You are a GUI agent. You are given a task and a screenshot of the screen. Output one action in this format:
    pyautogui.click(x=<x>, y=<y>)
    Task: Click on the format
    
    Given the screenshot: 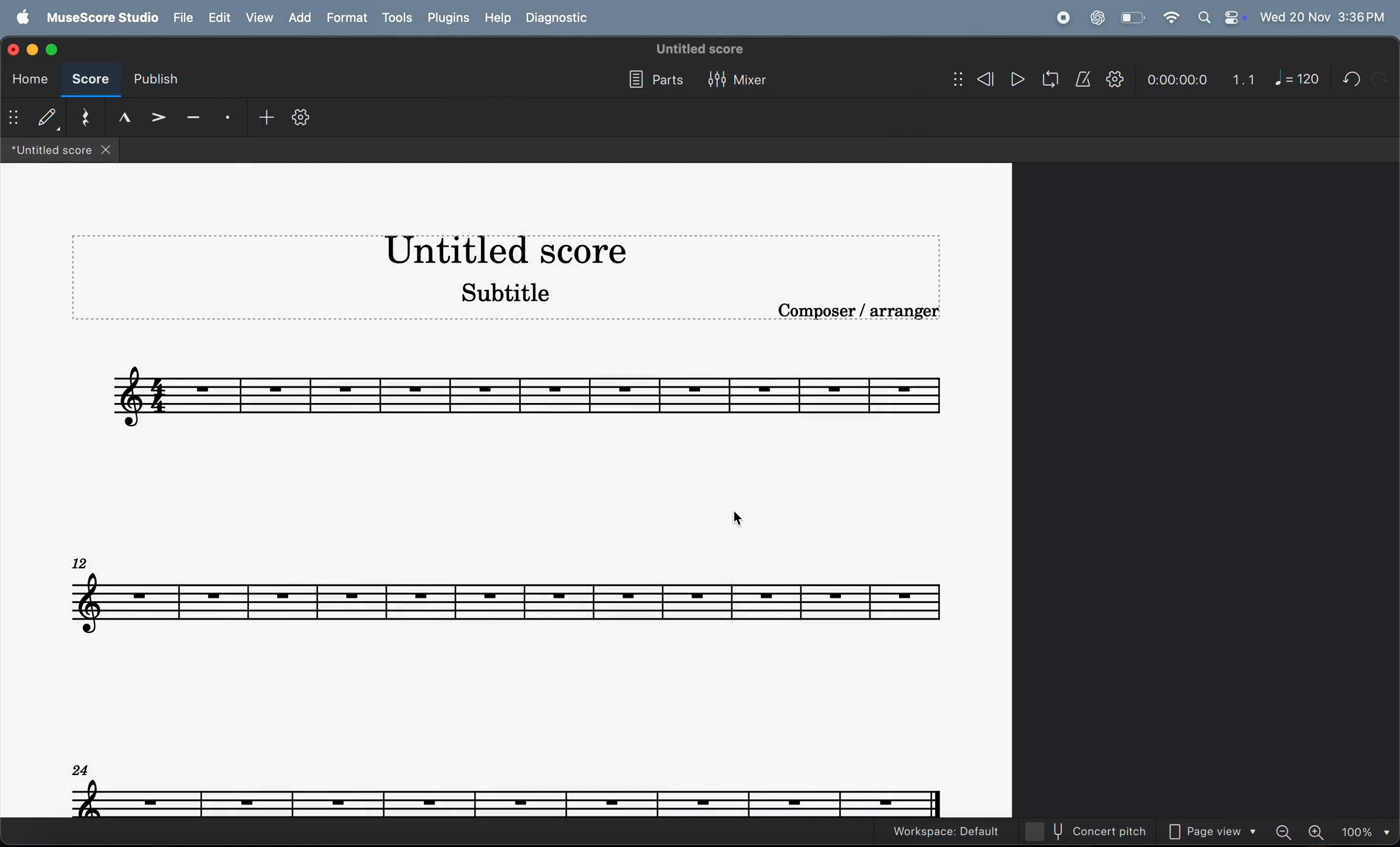 What is the action you would take?
    pyautogui.click(x=349, y=18)
    